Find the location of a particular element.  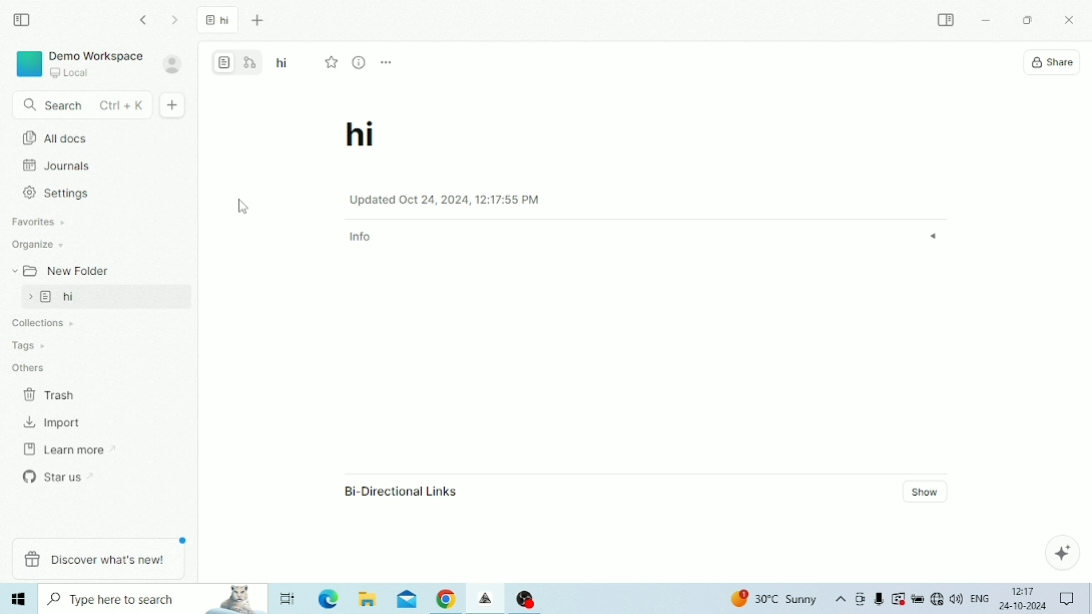

Trash is located at coordinates (55, 394).